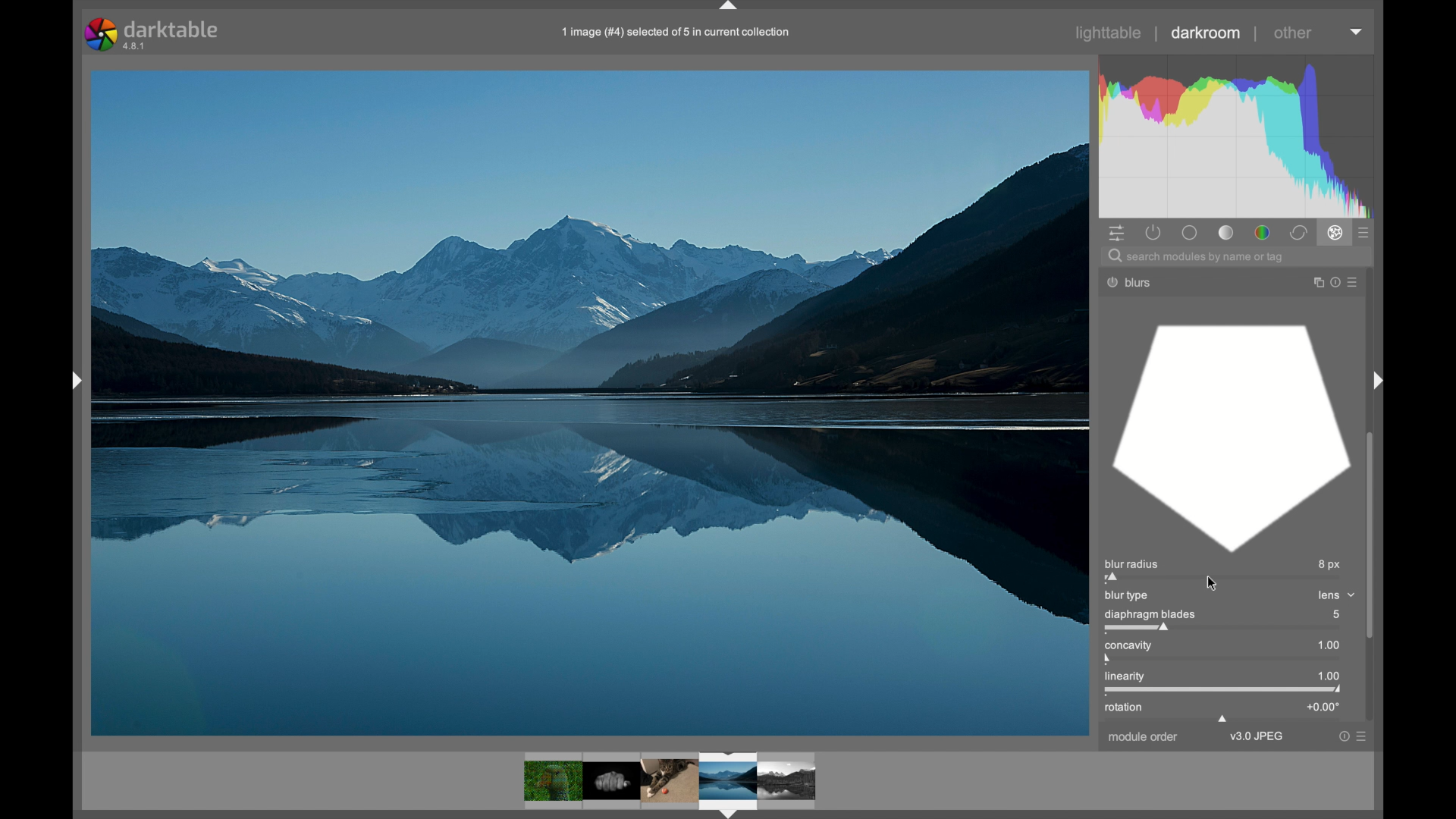  Describe the element at coordinates (1136, 563) in the screenshot. I see `blur radius` at that location.